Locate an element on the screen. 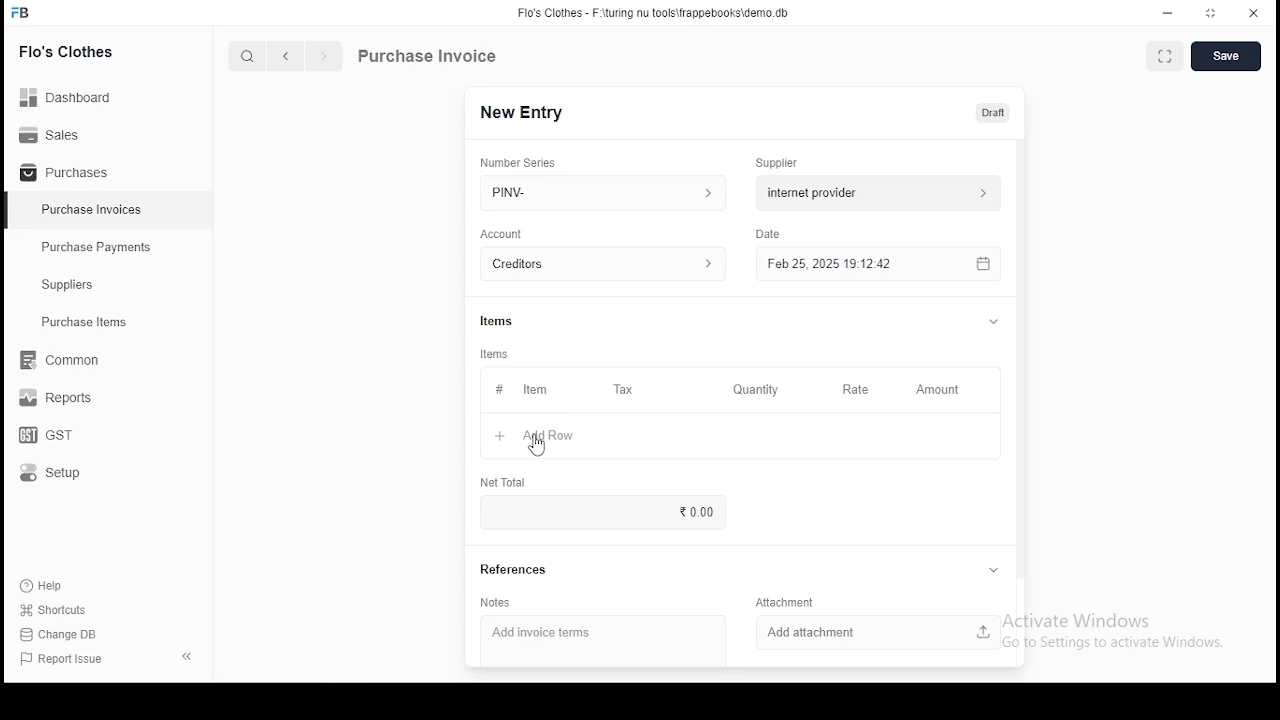  gst is located at coordinates (46, 437).